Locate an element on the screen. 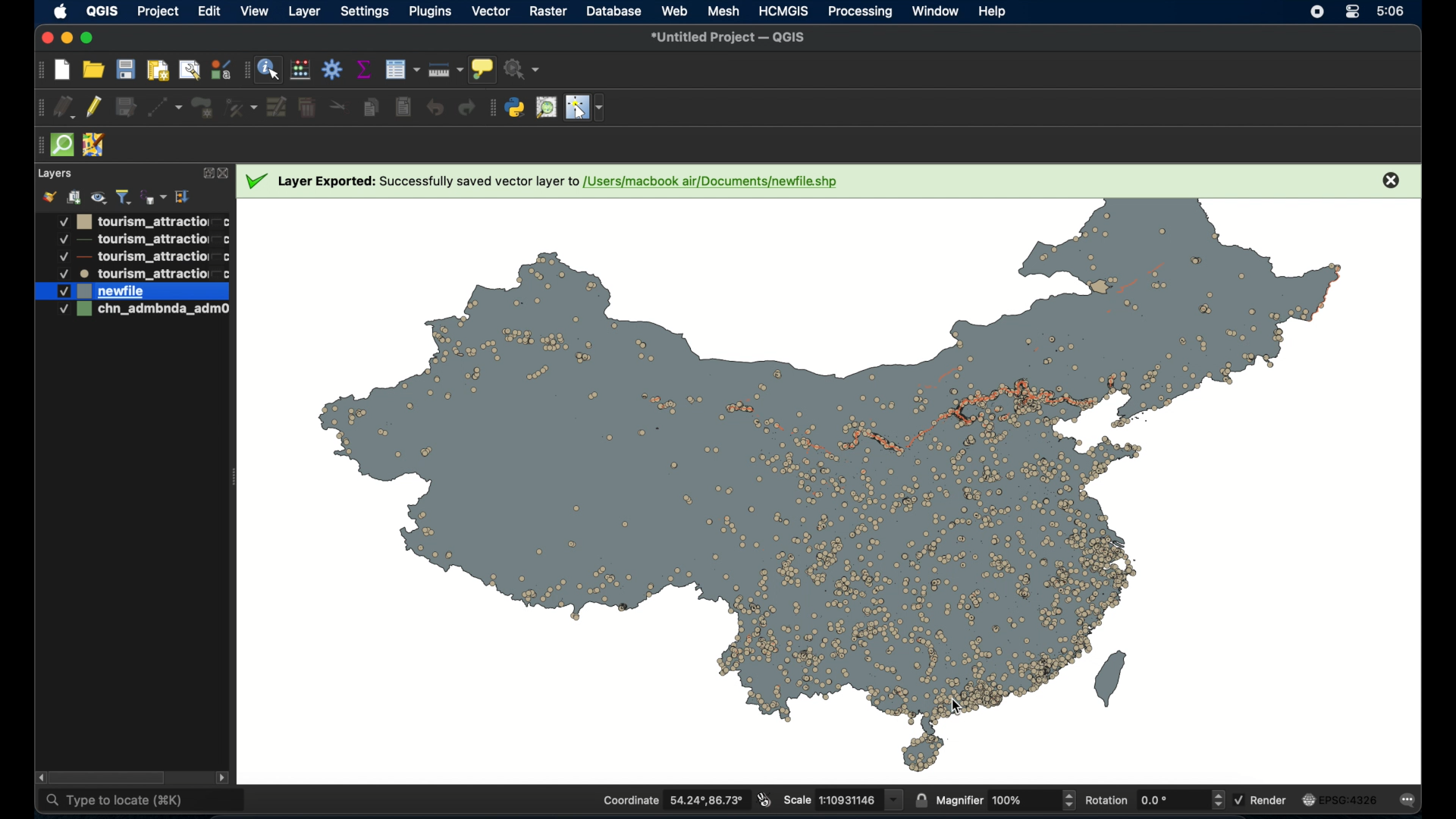 The image size is (1456, 819). digitize with segment is located at coordinates (165, 108).